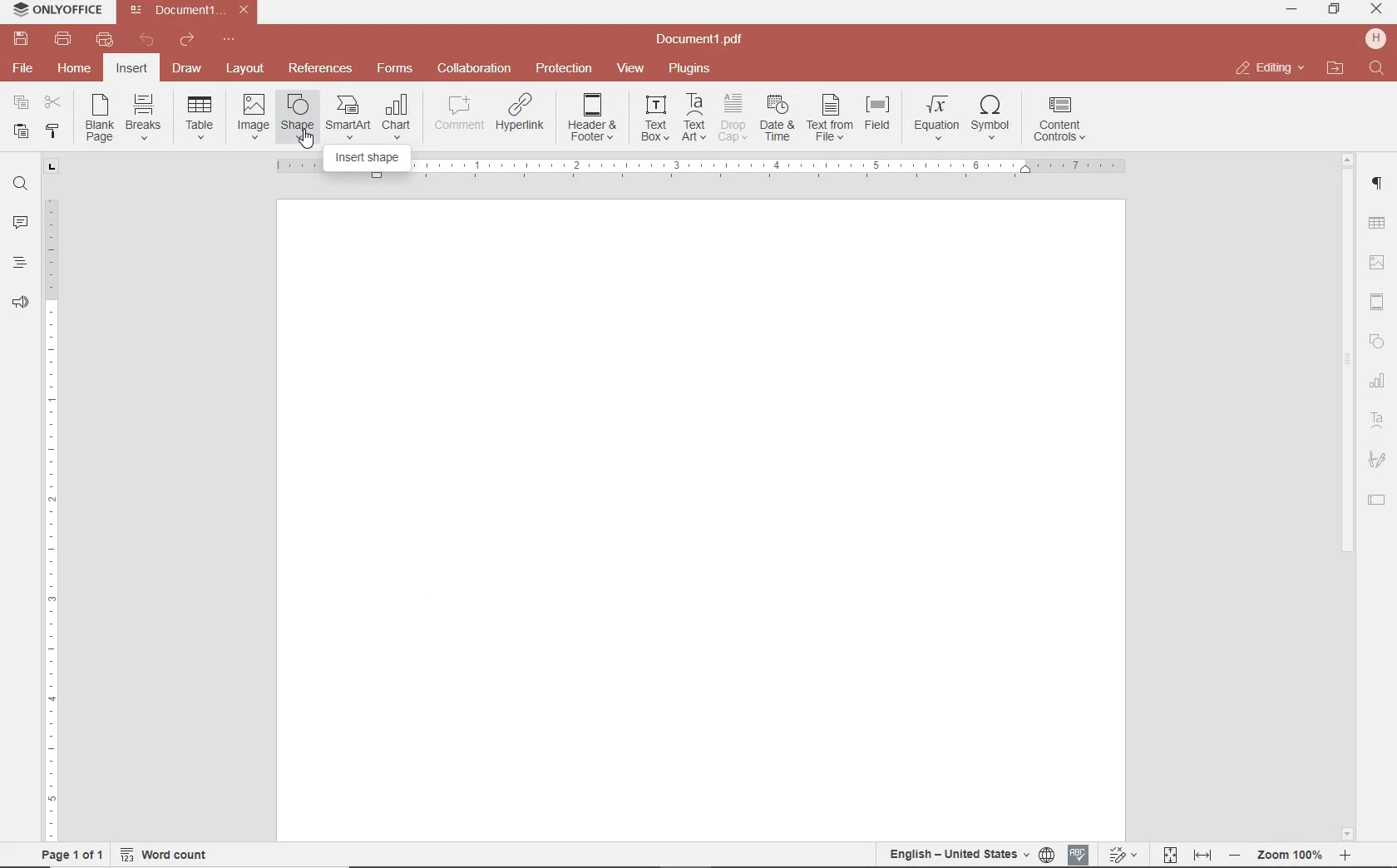  I want to click on scrollbar, so click(1345, 496).